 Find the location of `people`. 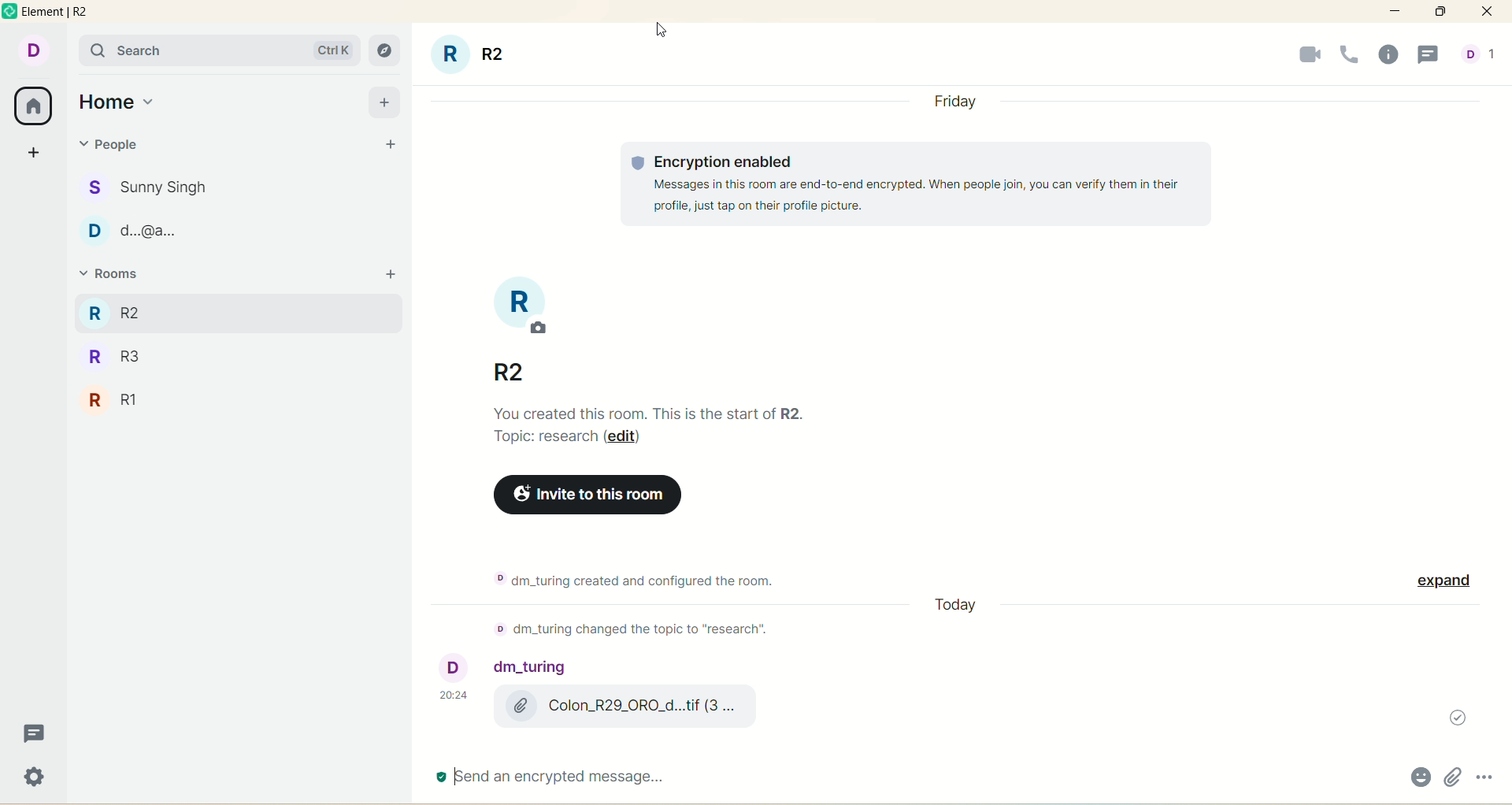

people is located at coordinates (1480, 58).